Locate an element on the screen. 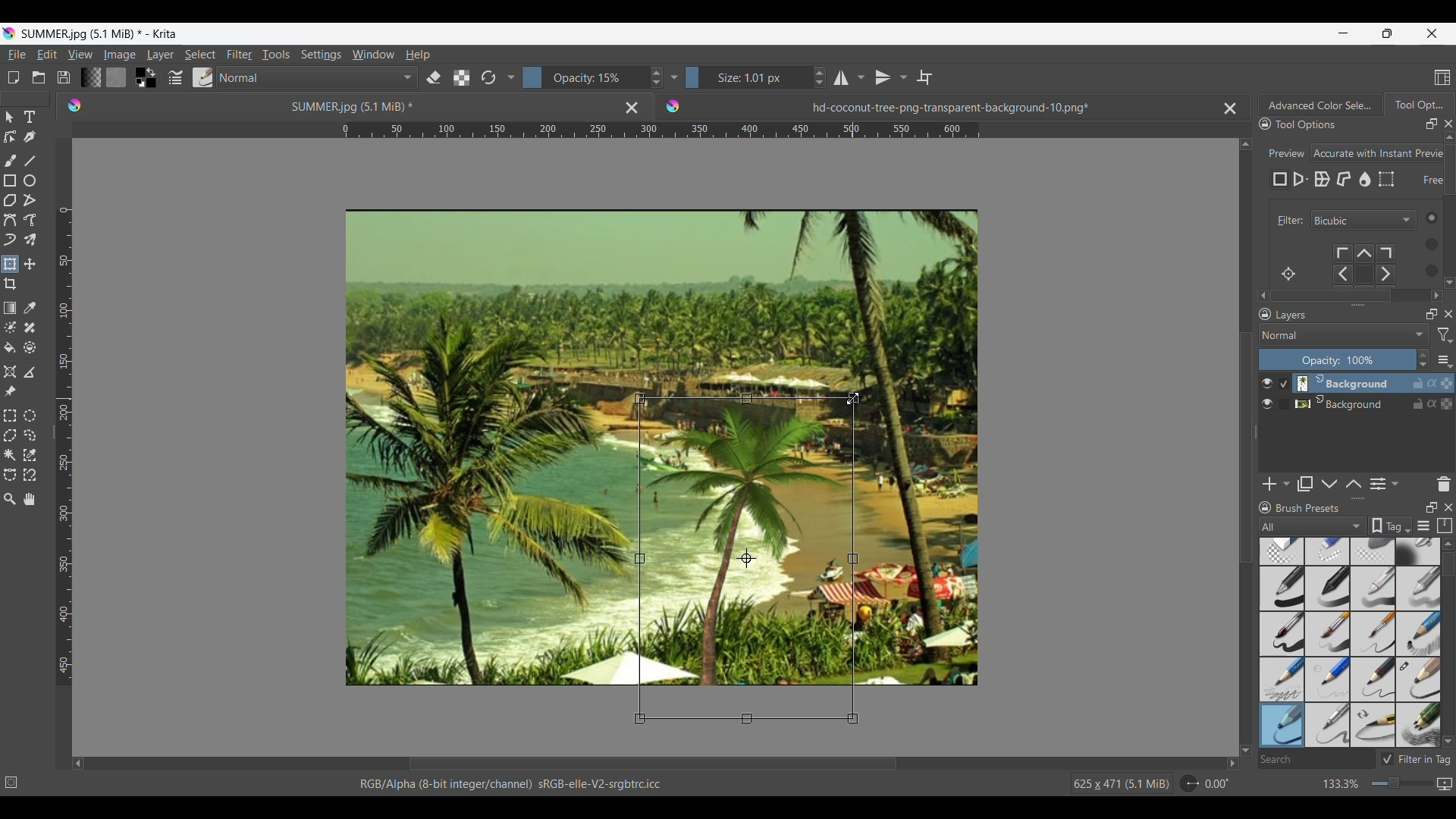  Down is located at coordinates (1448, 741).